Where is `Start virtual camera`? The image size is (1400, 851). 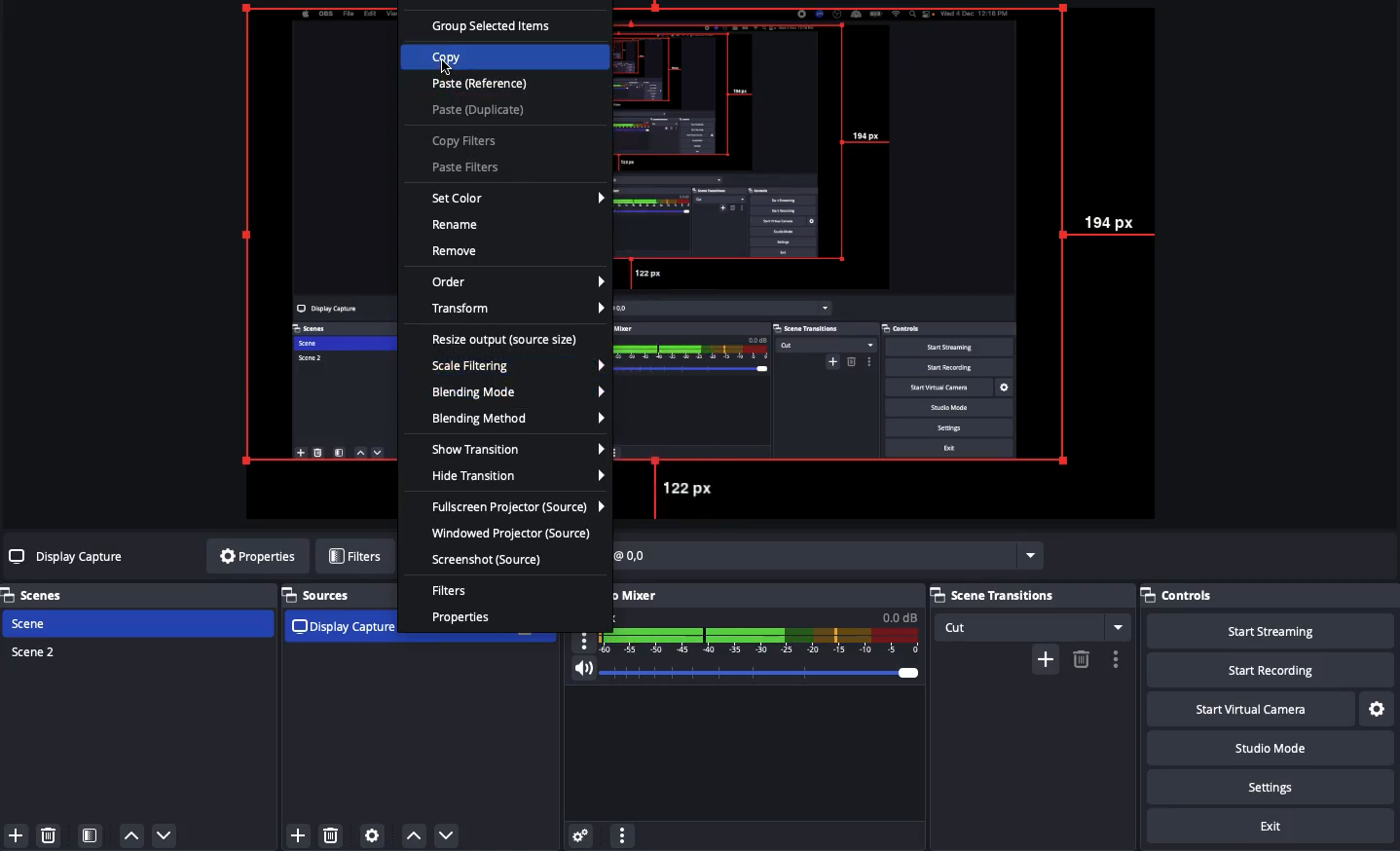
Start virtual camera is located at coordinates (1247, 707).